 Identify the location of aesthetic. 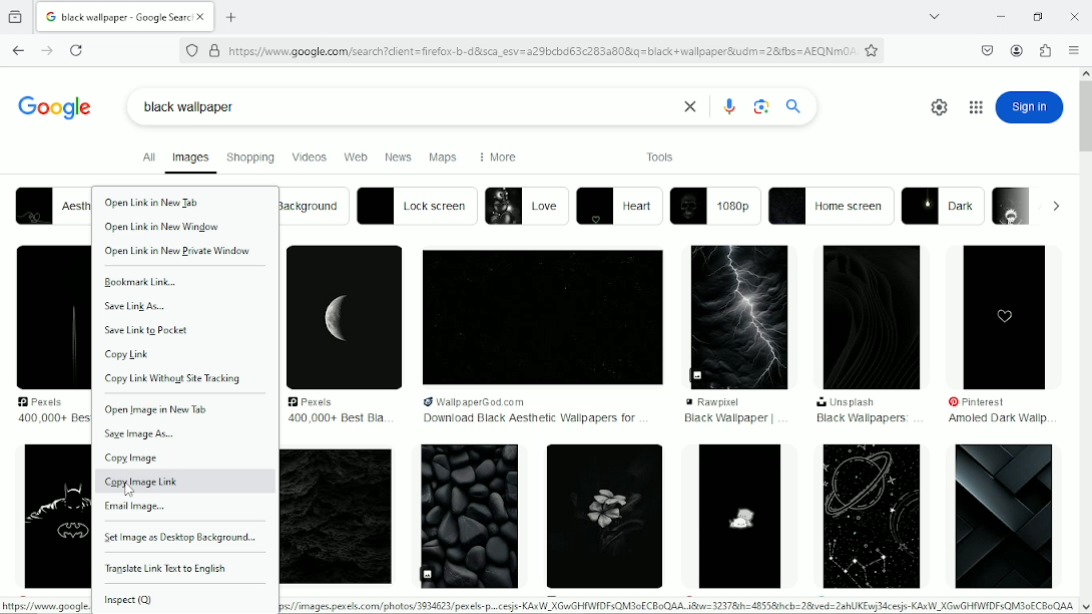
(52, 205).